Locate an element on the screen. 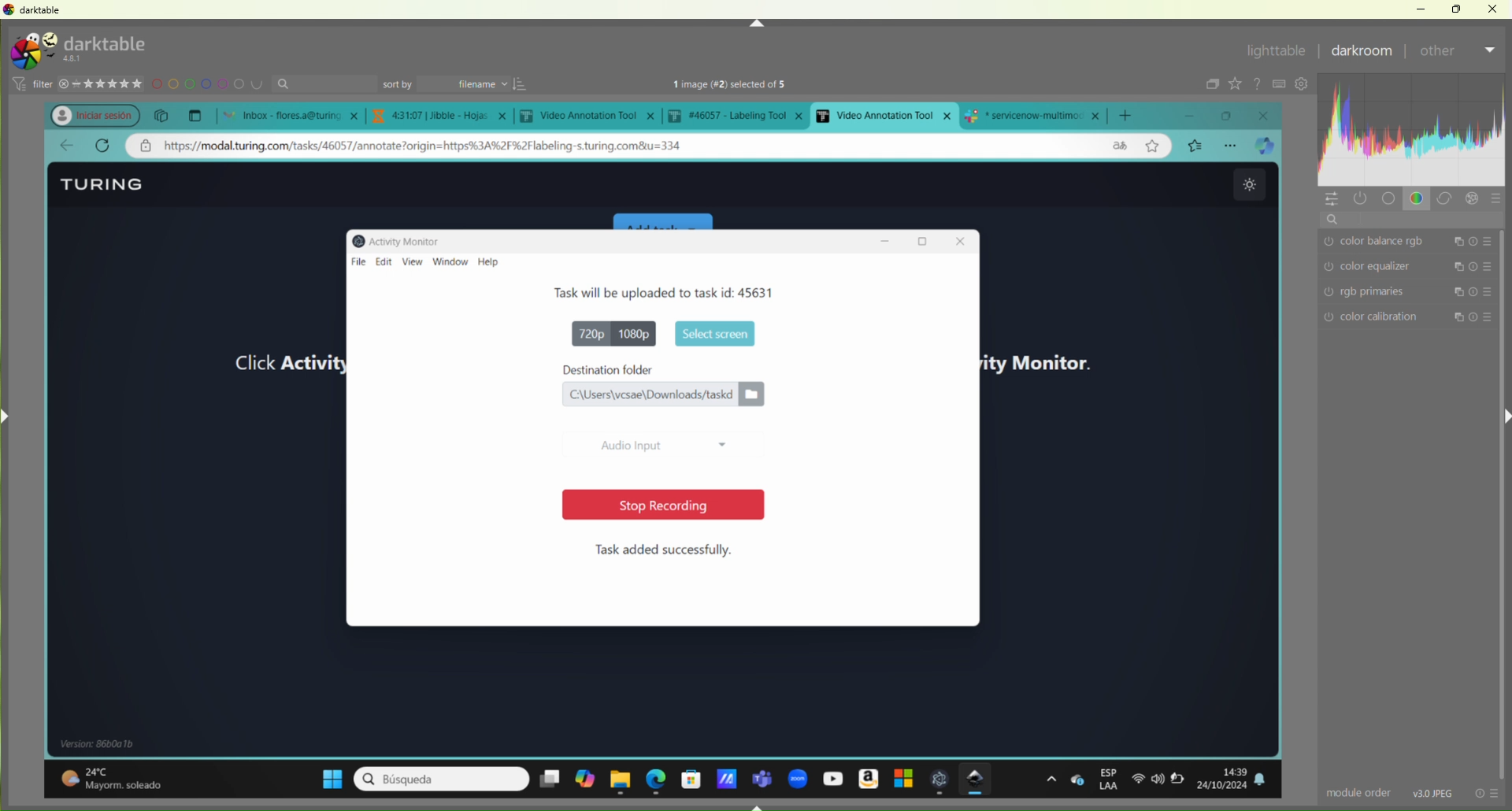 Image resolution: width=1512 pixels, height=811 pixels. date and time is located at coordinates (1225, 777).